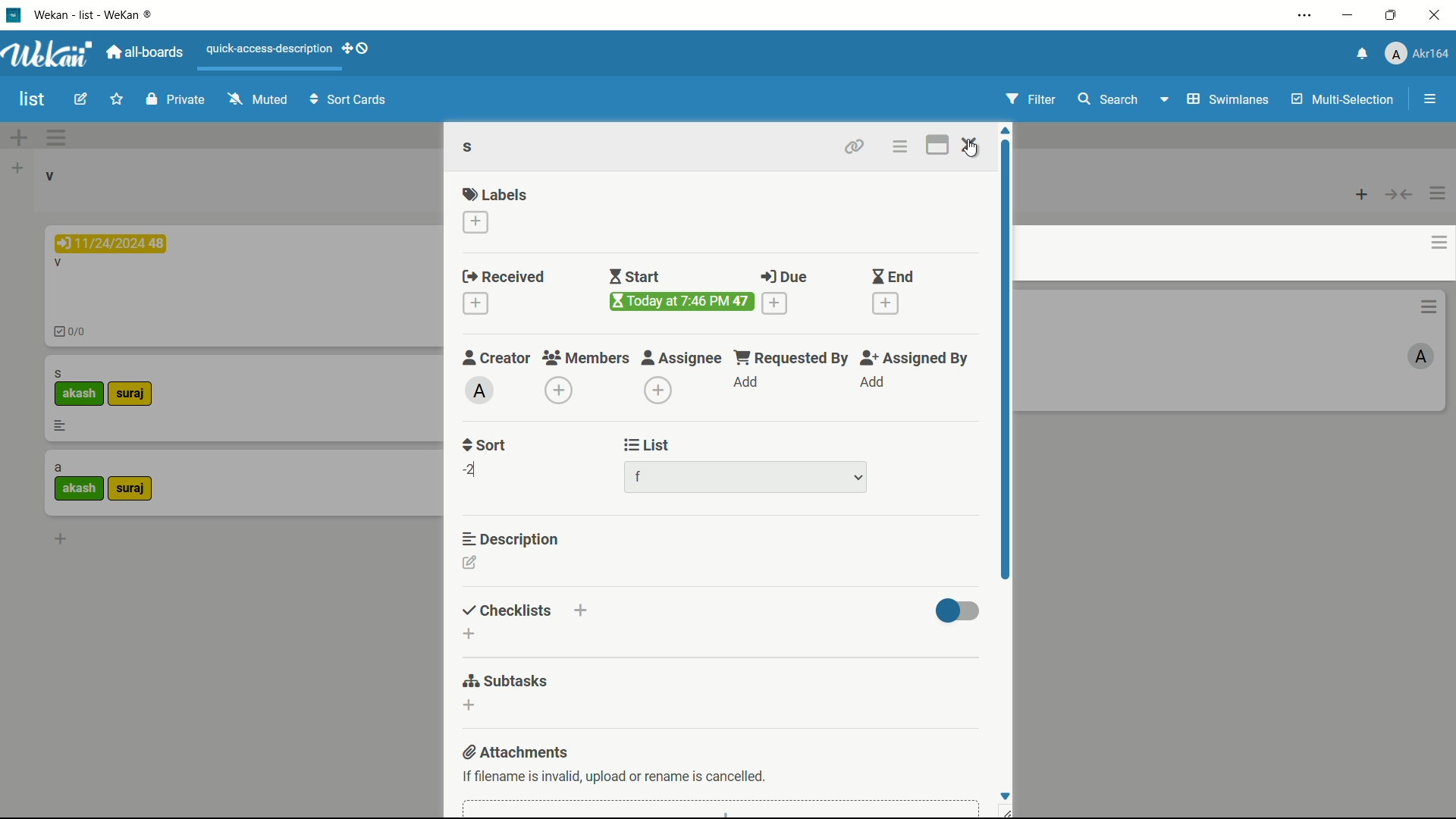  What do you see at coordinates (80, 488) in the screenshot?
I see `label-1` at bounding box center [80, 488].